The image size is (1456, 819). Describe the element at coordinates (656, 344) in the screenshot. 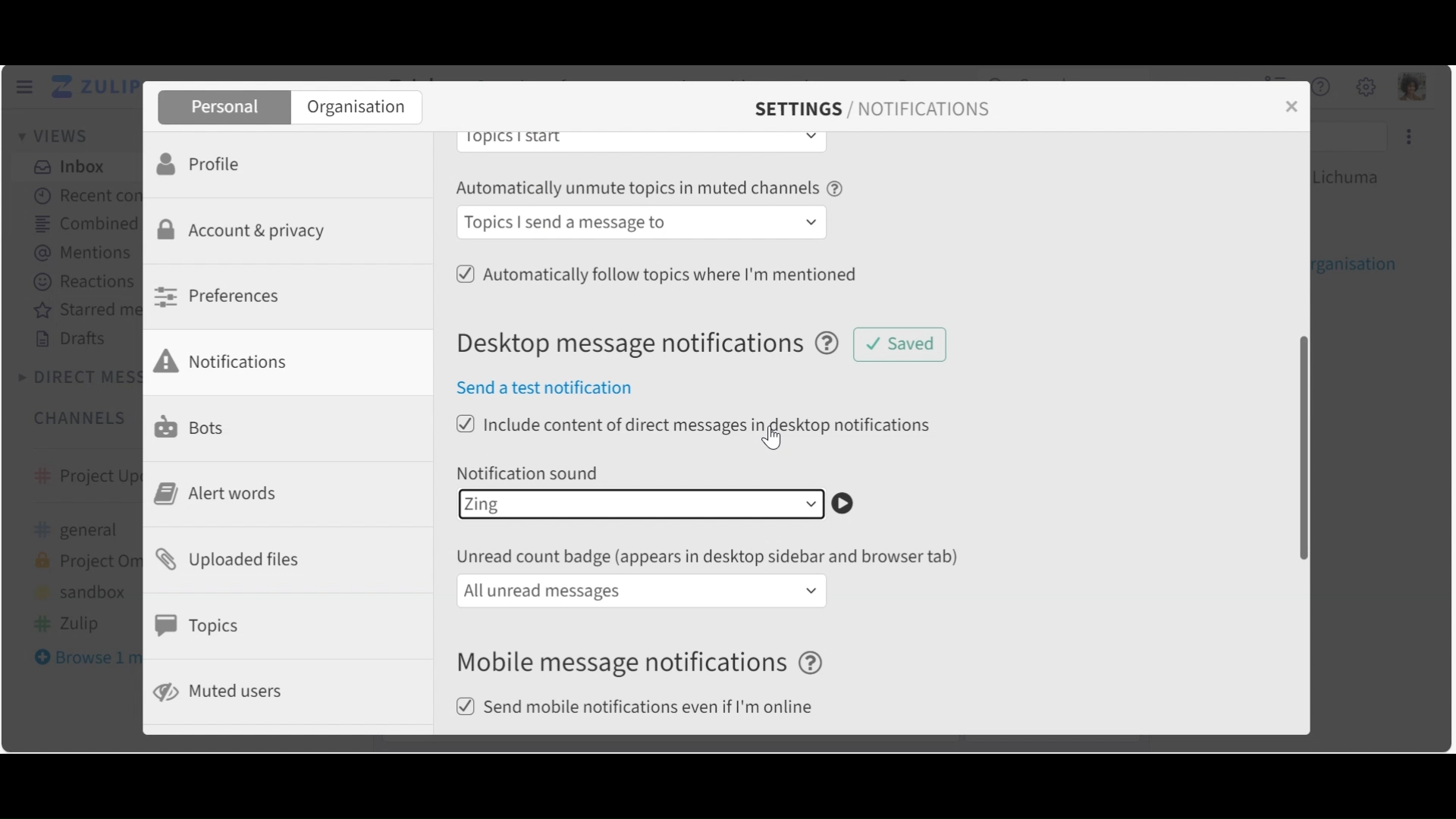

I see `Desktop message notifications` at that location.